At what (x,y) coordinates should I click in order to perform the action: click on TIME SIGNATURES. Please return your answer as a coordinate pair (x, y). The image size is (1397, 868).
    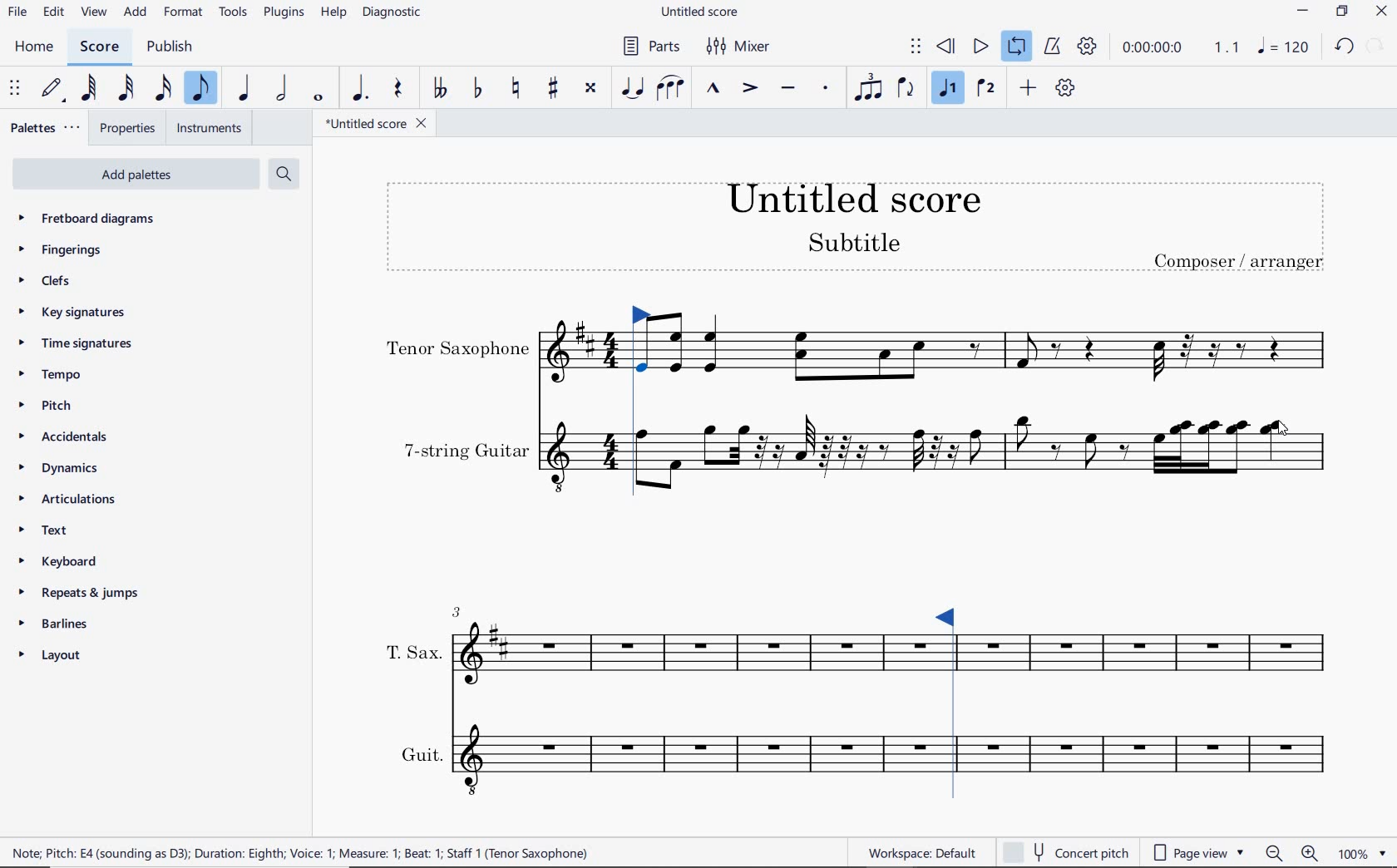
    Looking at the image, I should click on (74, 343).